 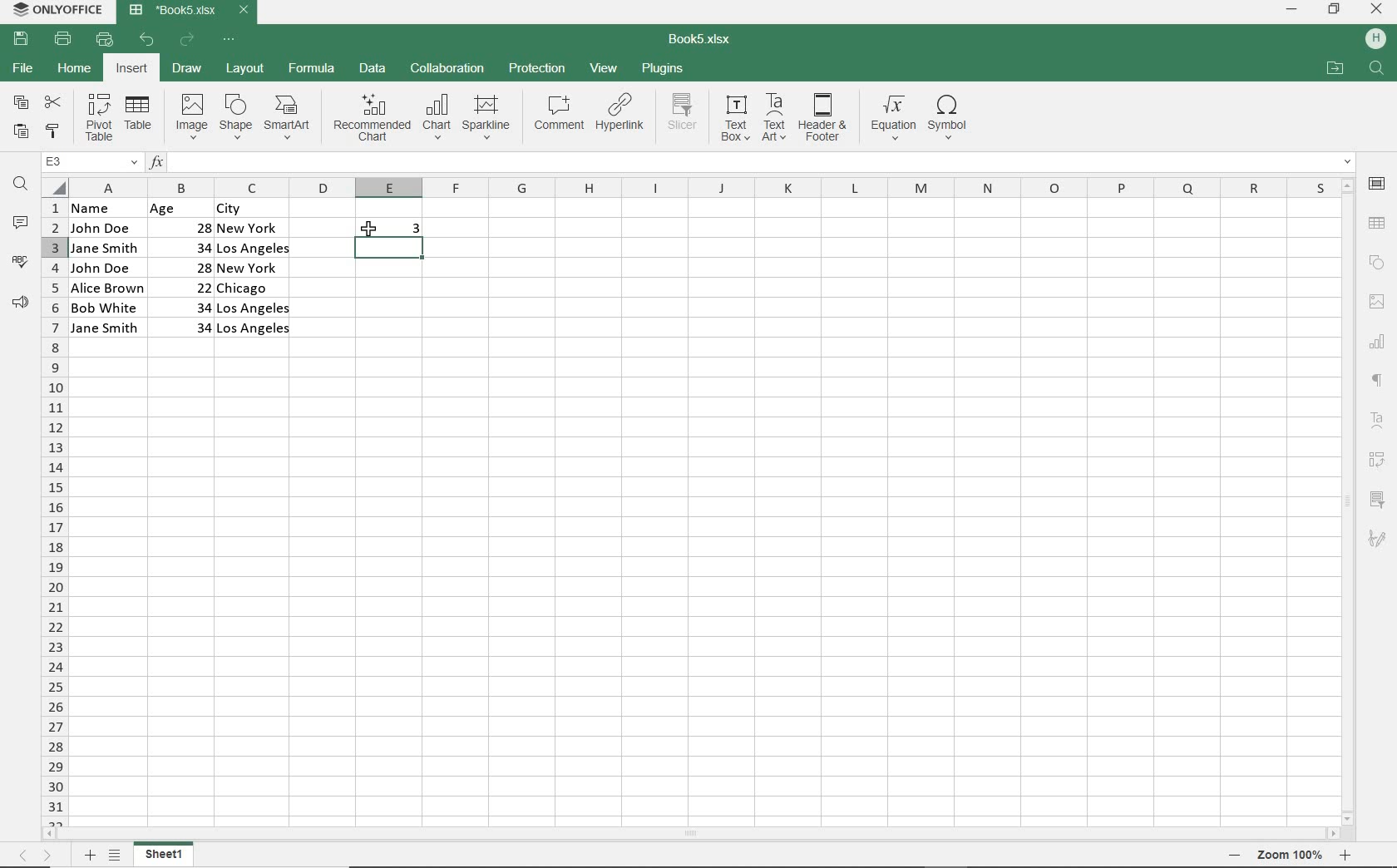 I want to click on Jane Smith, so click(x=103, y=248).